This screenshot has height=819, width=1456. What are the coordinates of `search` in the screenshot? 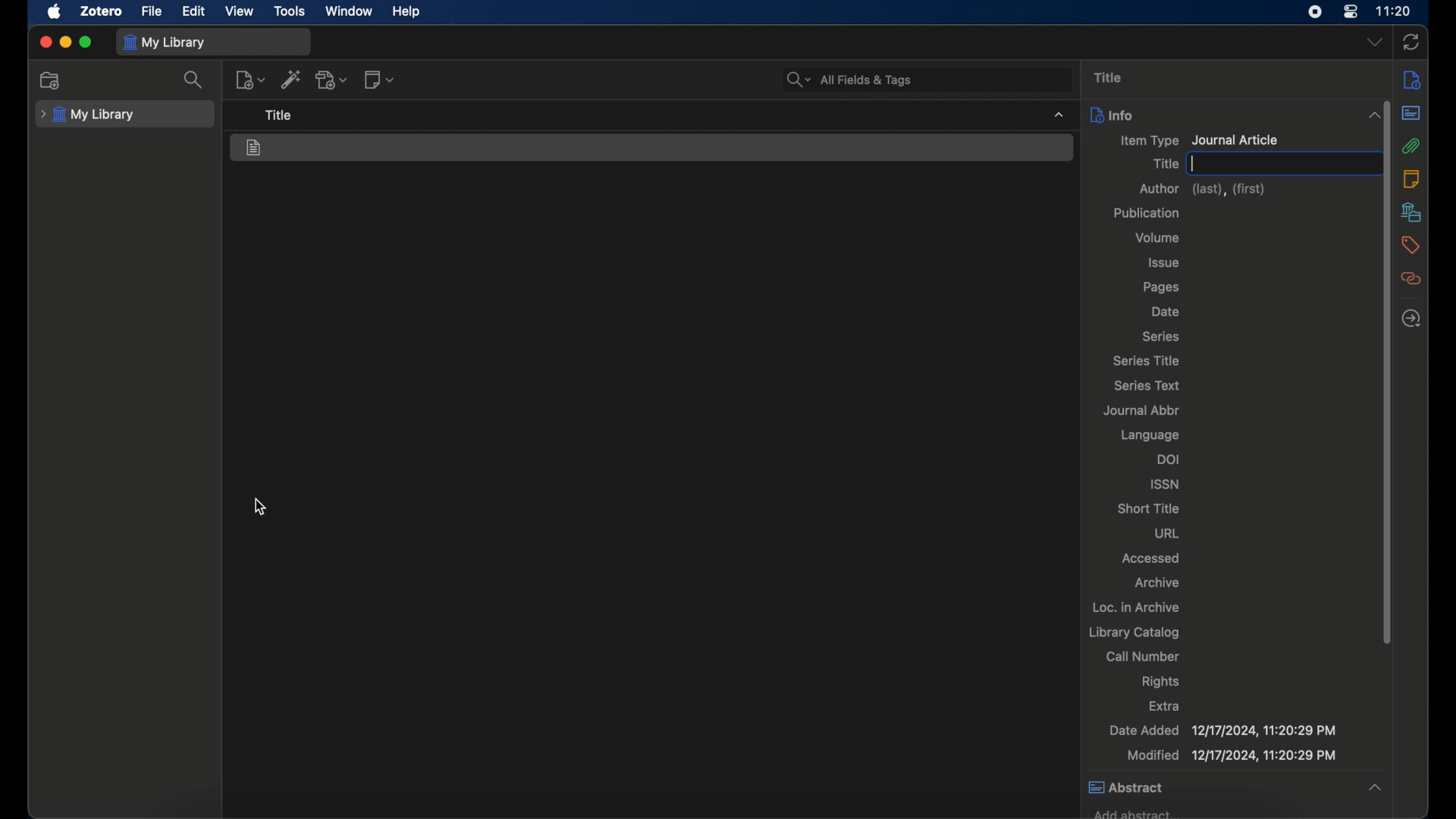 It's located at (847, 78).